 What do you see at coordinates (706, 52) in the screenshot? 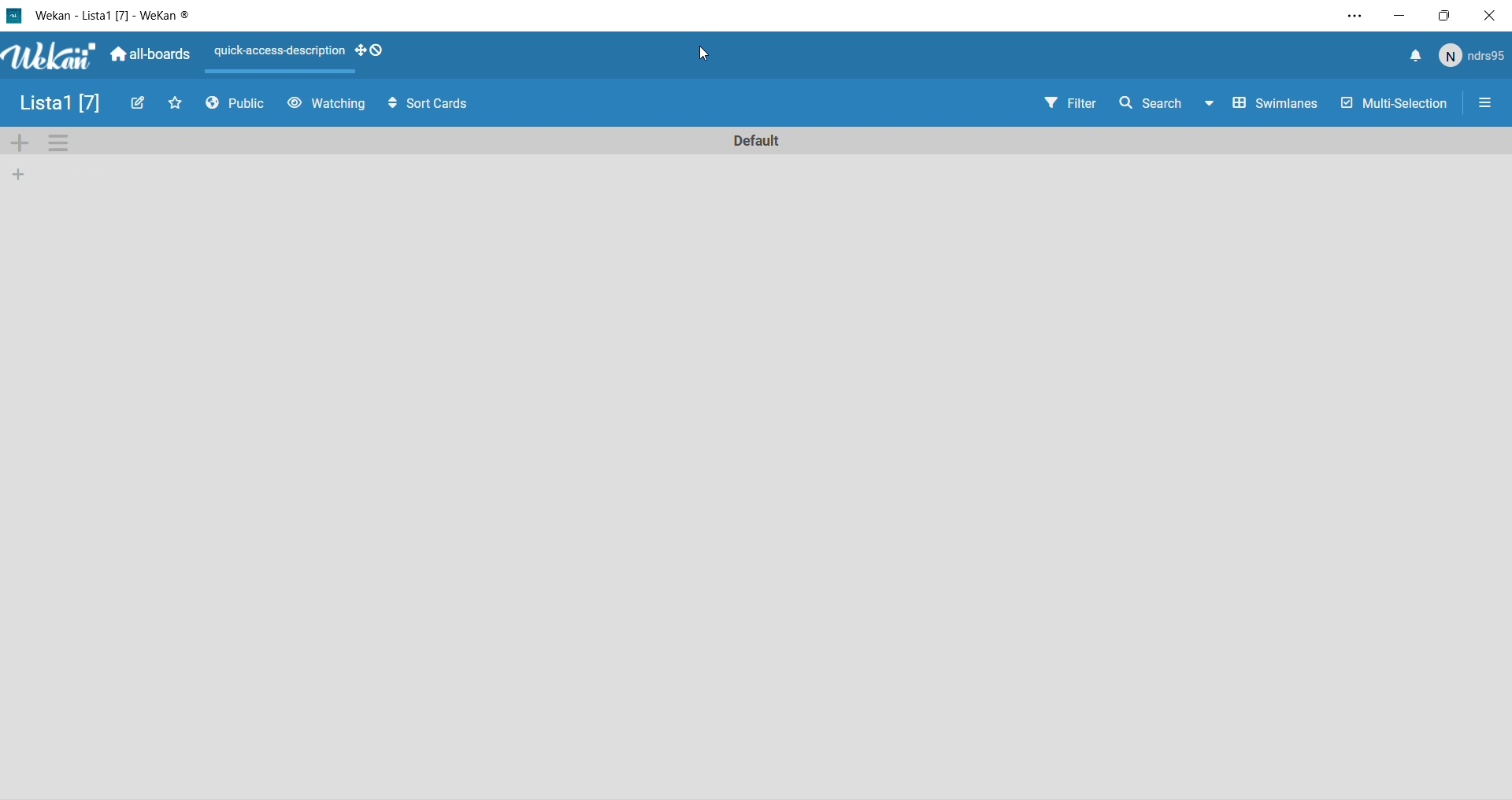
I see `cursor` at bounding box center [706, 52].